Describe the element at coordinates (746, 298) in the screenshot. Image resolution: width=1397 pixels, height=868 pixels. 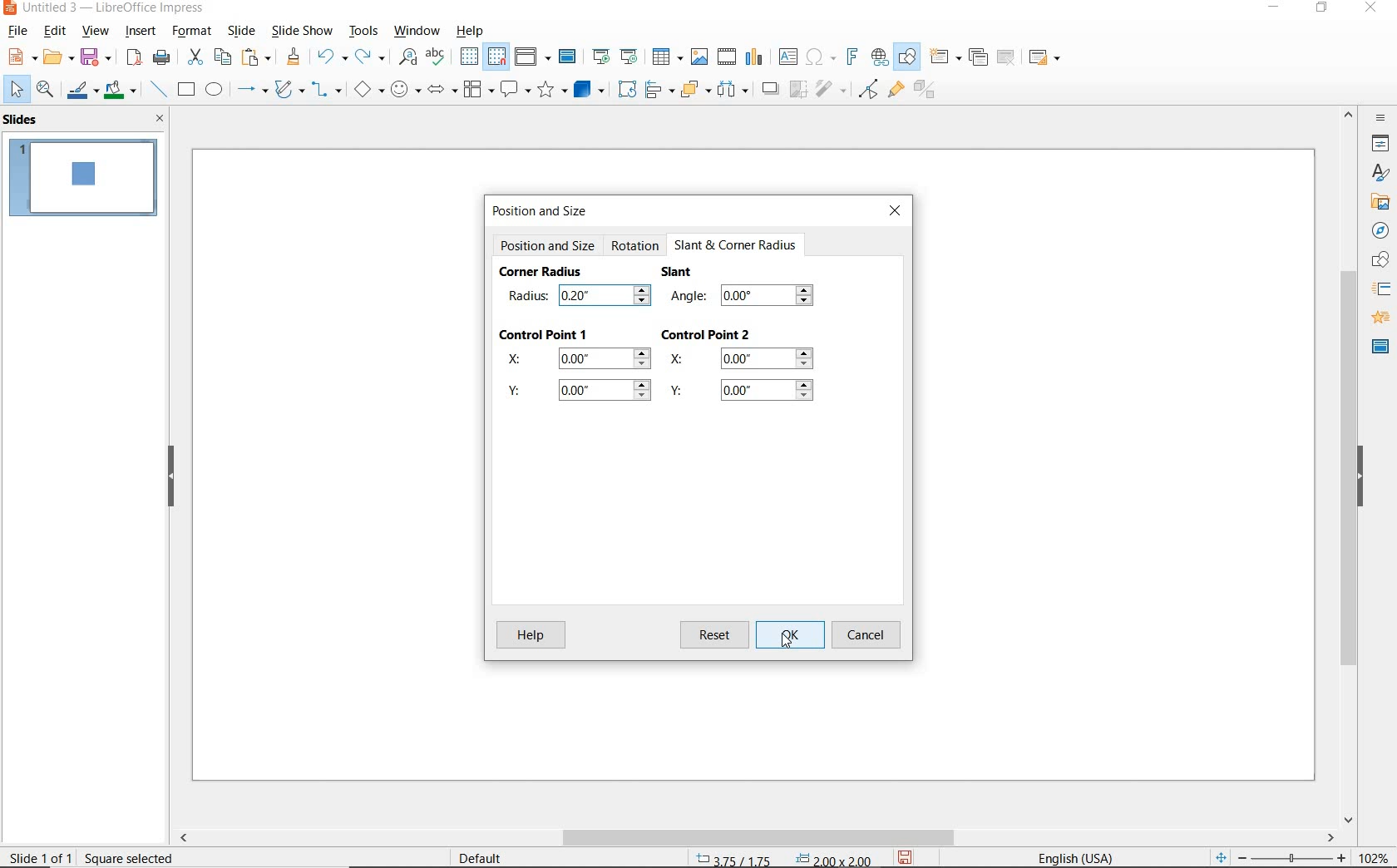
I see `ANGLE` at that location.